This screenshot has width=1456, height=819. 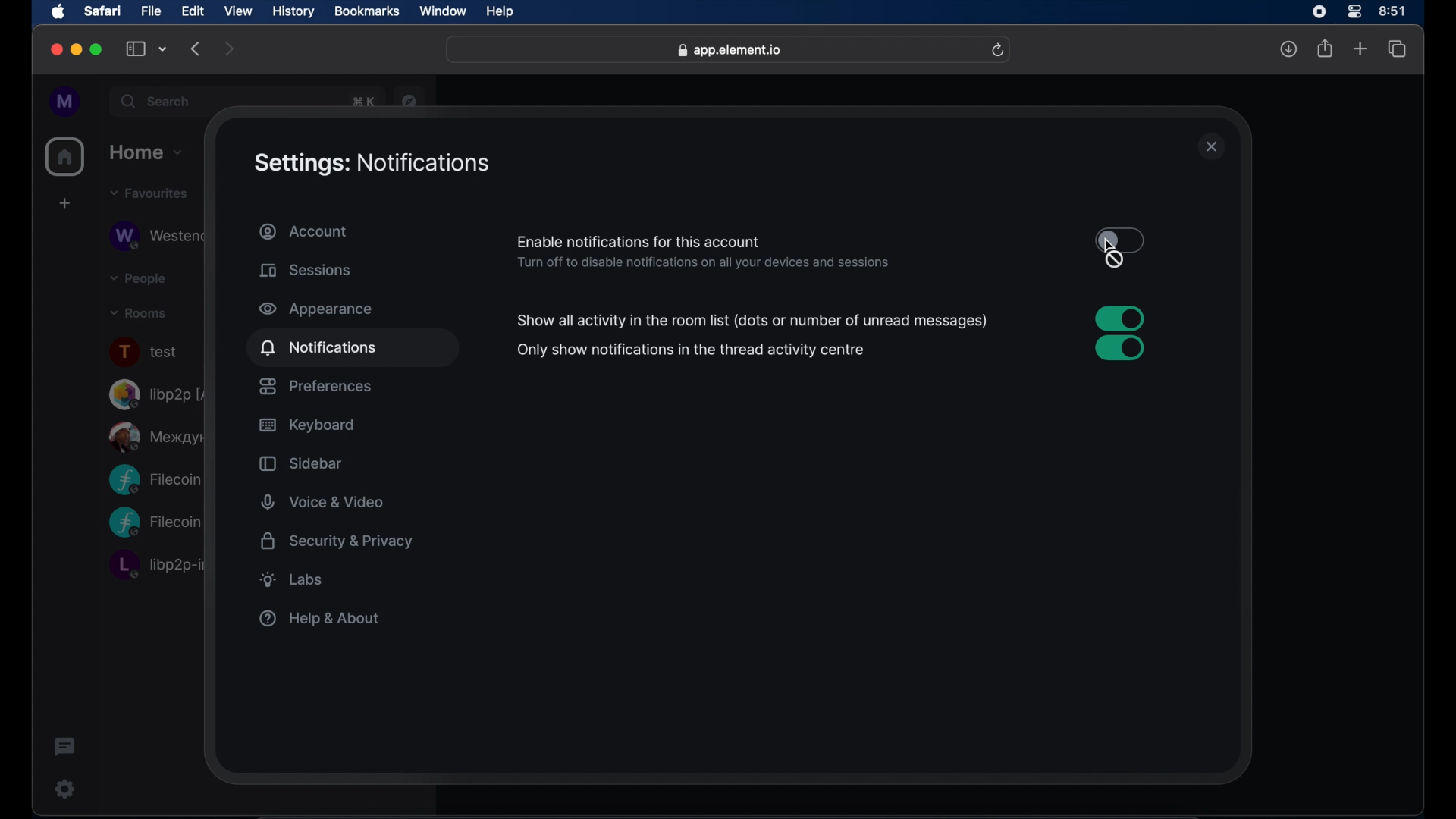 I want to click on maximize, so click(x=97, y=49).